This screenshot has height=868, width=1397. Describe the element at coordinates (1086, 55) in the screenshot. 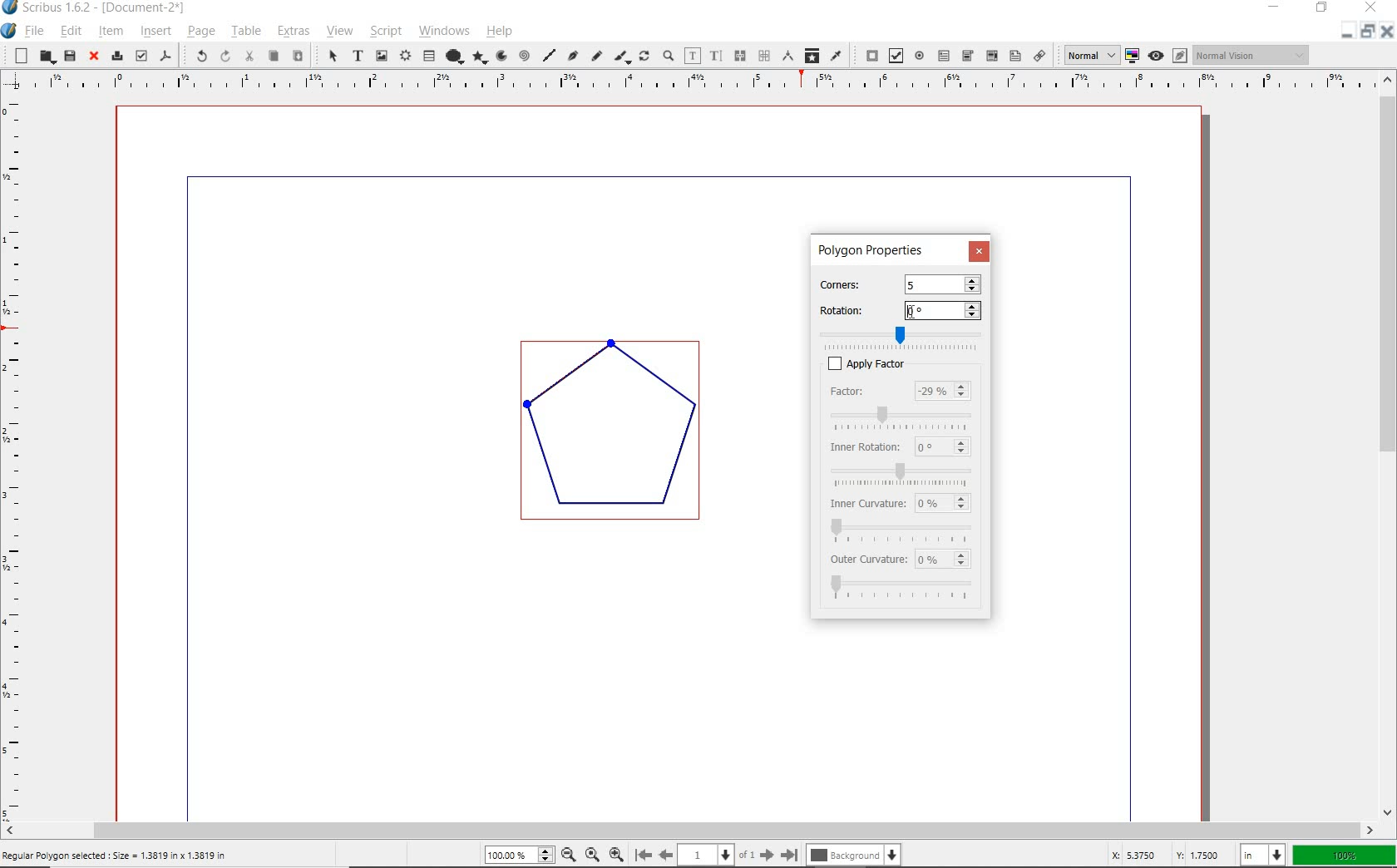

I see `select image preview quality` at that location.